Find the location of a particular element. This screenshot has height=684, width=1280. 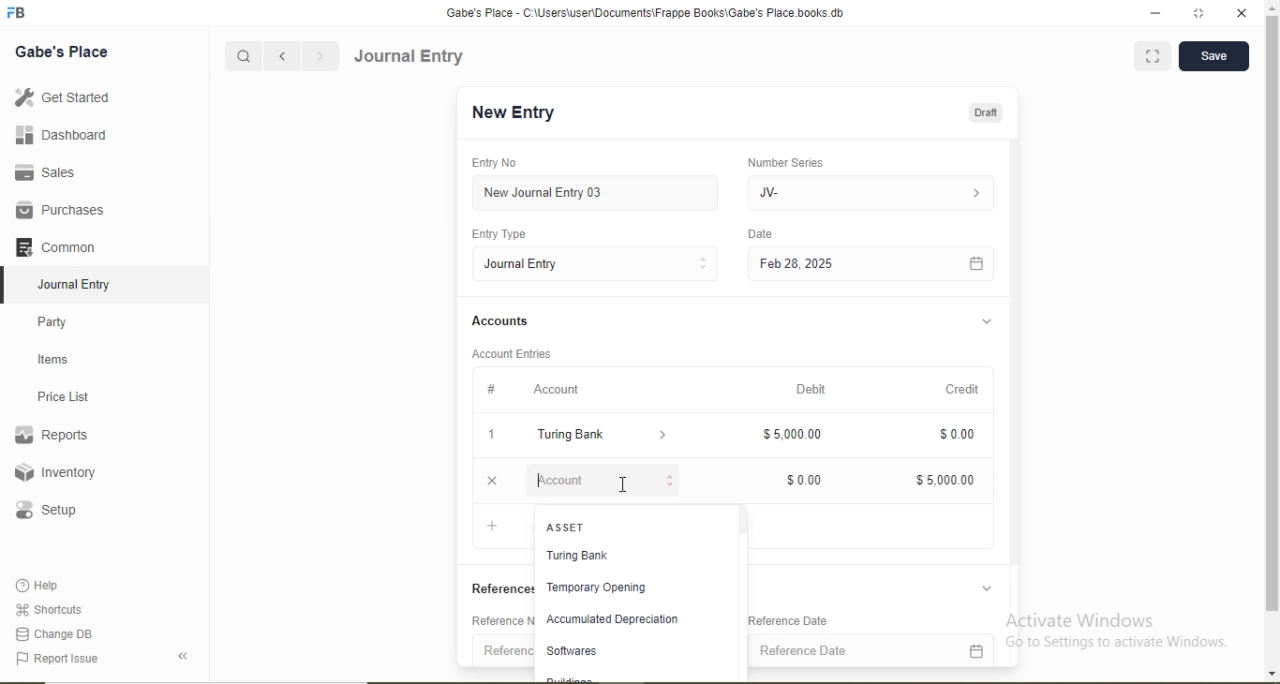

$0.00 is located at coordinates (962, 434).